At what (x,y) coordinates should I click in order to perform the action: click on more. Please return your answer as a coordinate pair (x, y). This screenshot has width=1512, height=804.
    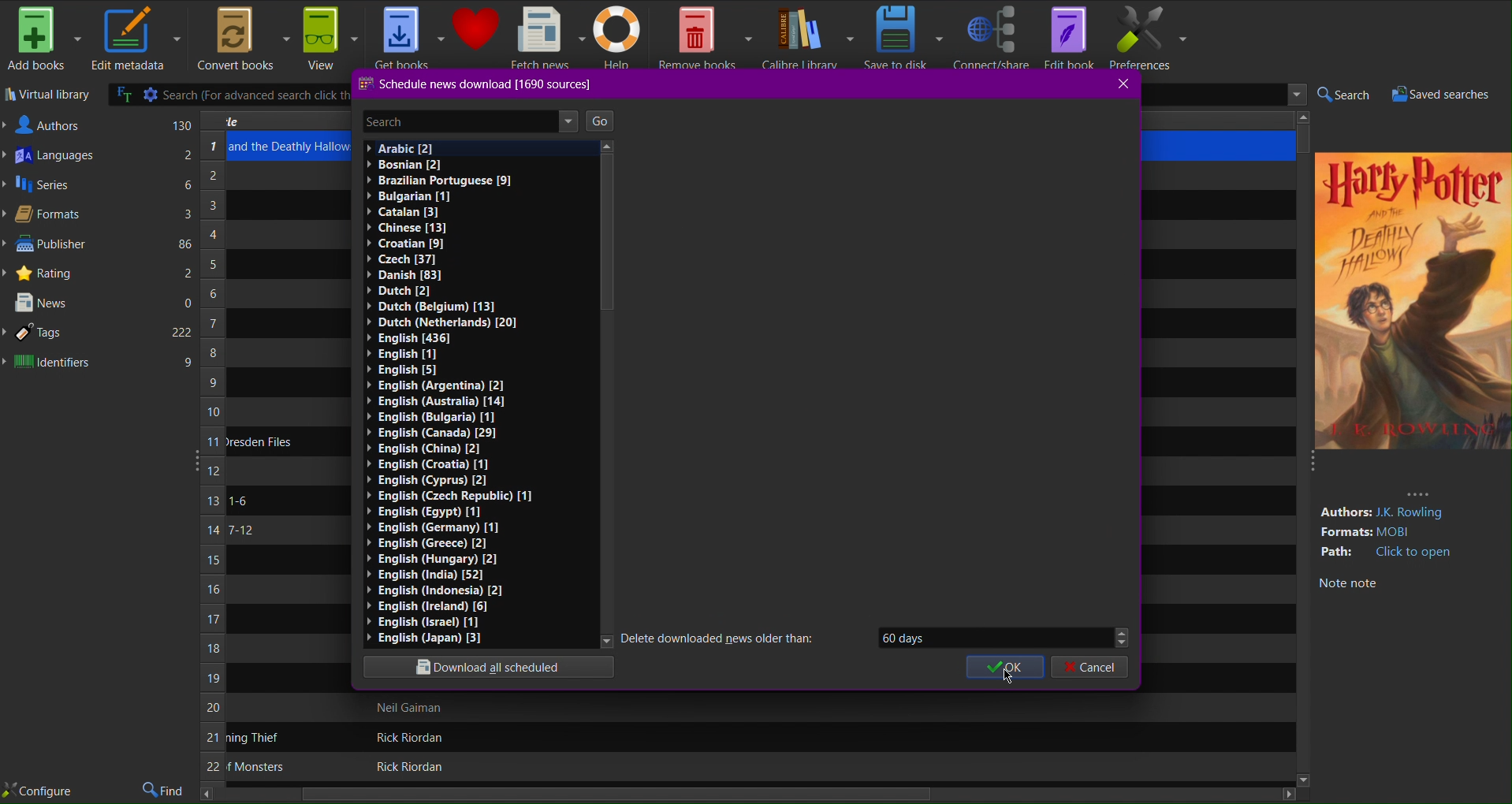
    Looking at the image, I should click on (1418, 493).